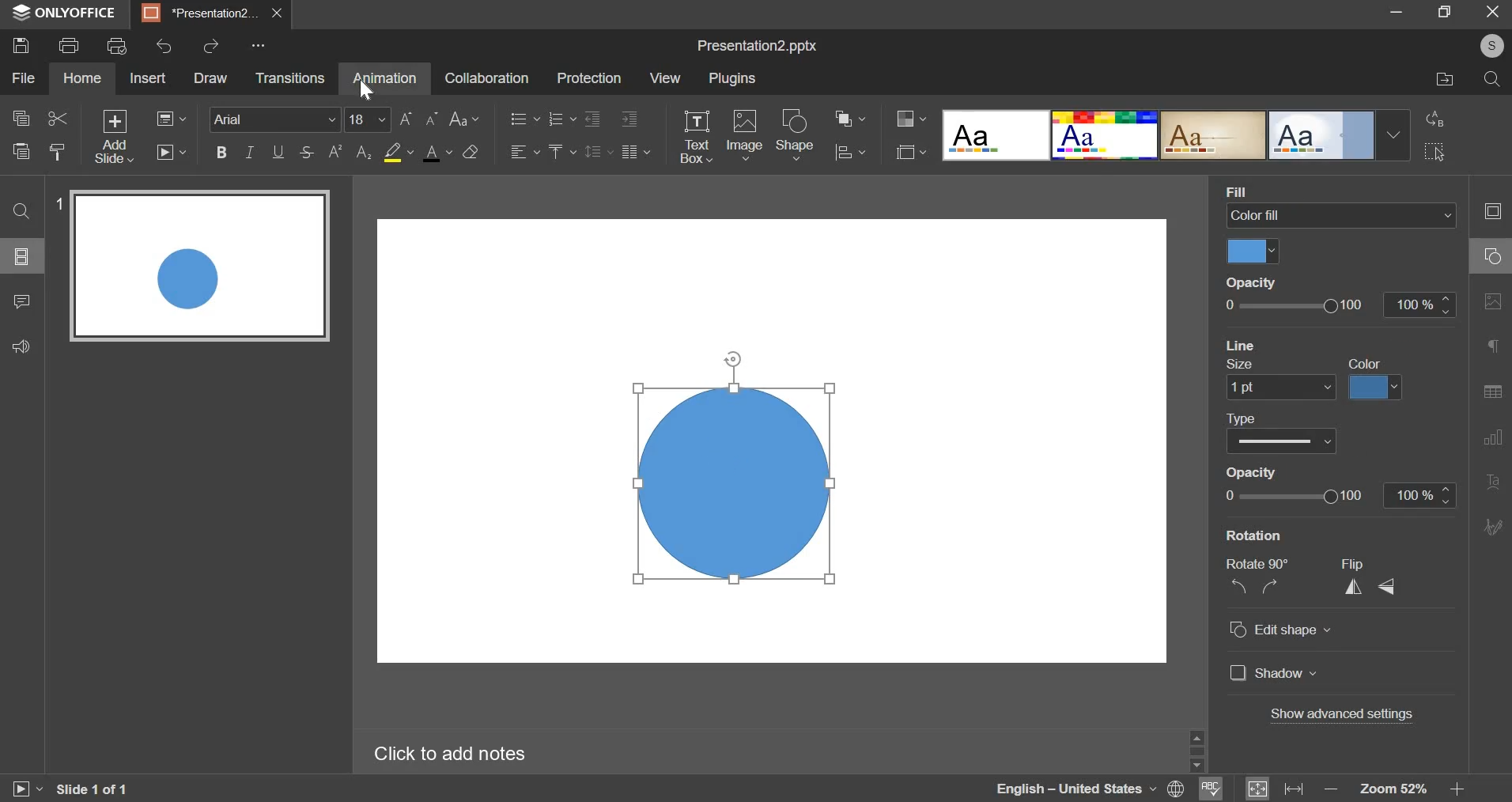 Image resolution: width=1512 pixels, height=802 pixels. Describe the element at coordinates (1200, 736) in the screenshot. I see `move up` at that location.